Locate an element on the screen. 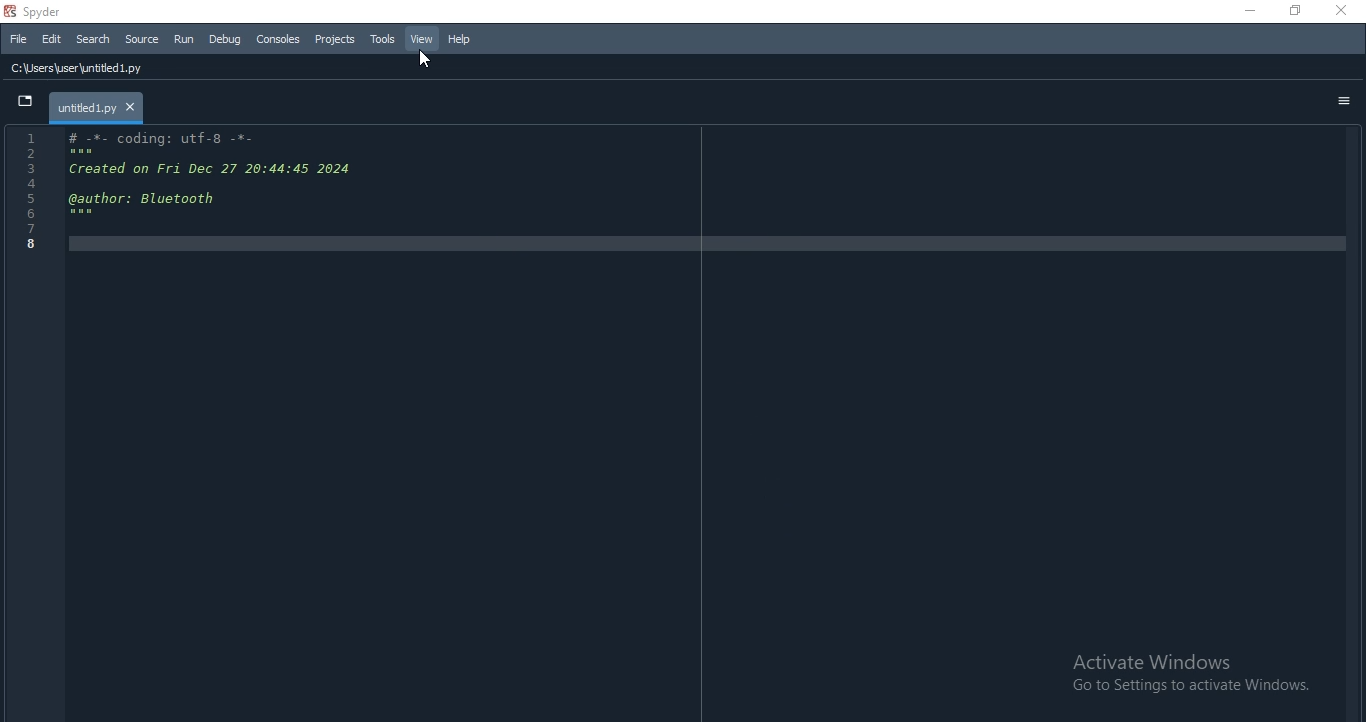 Image resolution: width=1366 pixels, height=722 pixels. minimise is located at coordinates (1245, 12).